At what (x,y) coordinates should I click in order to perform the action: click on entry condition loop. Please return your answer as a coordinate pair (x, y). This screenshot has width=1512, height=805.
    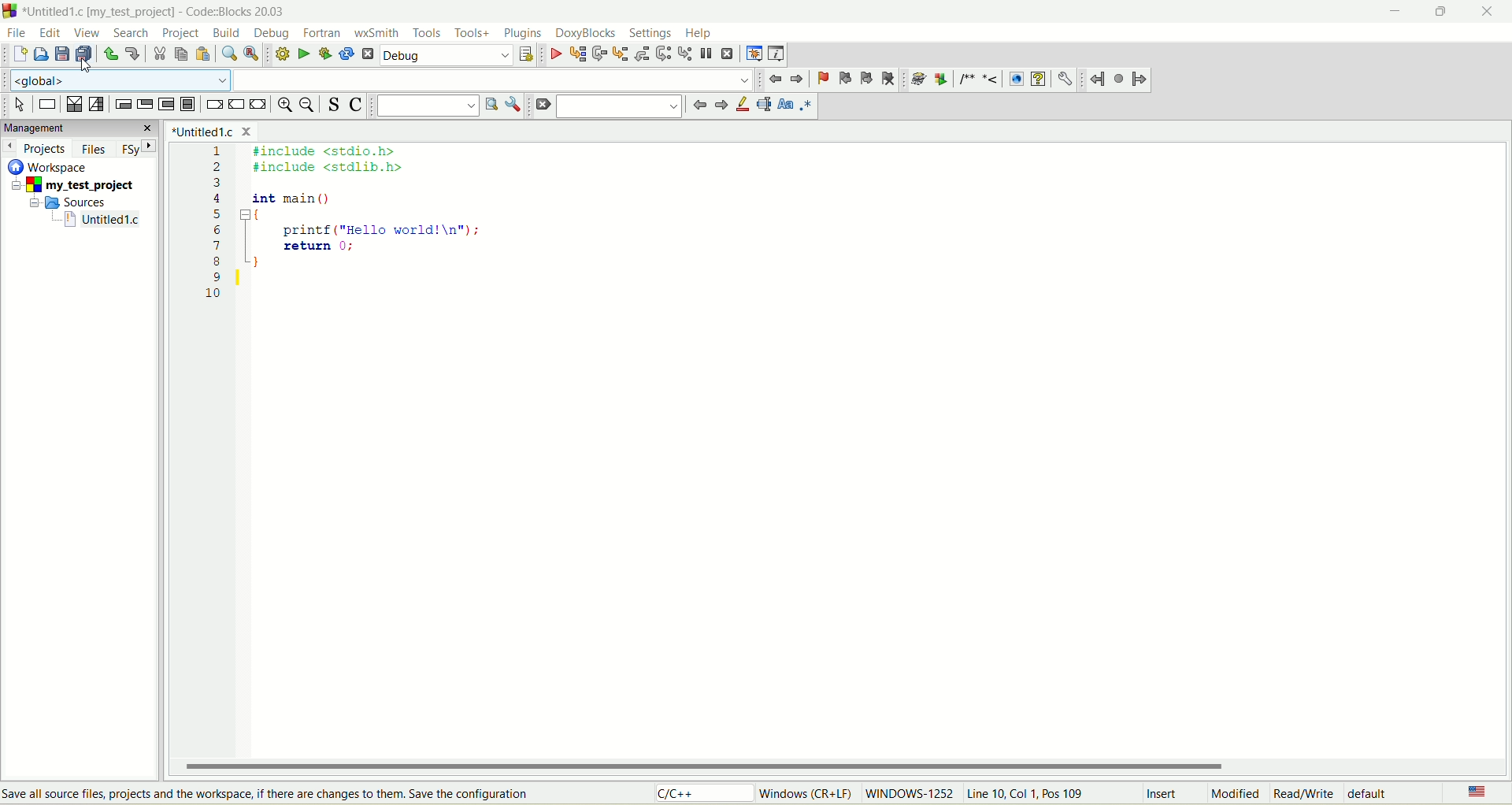
    Looking at the image, I should click on (122, 103).